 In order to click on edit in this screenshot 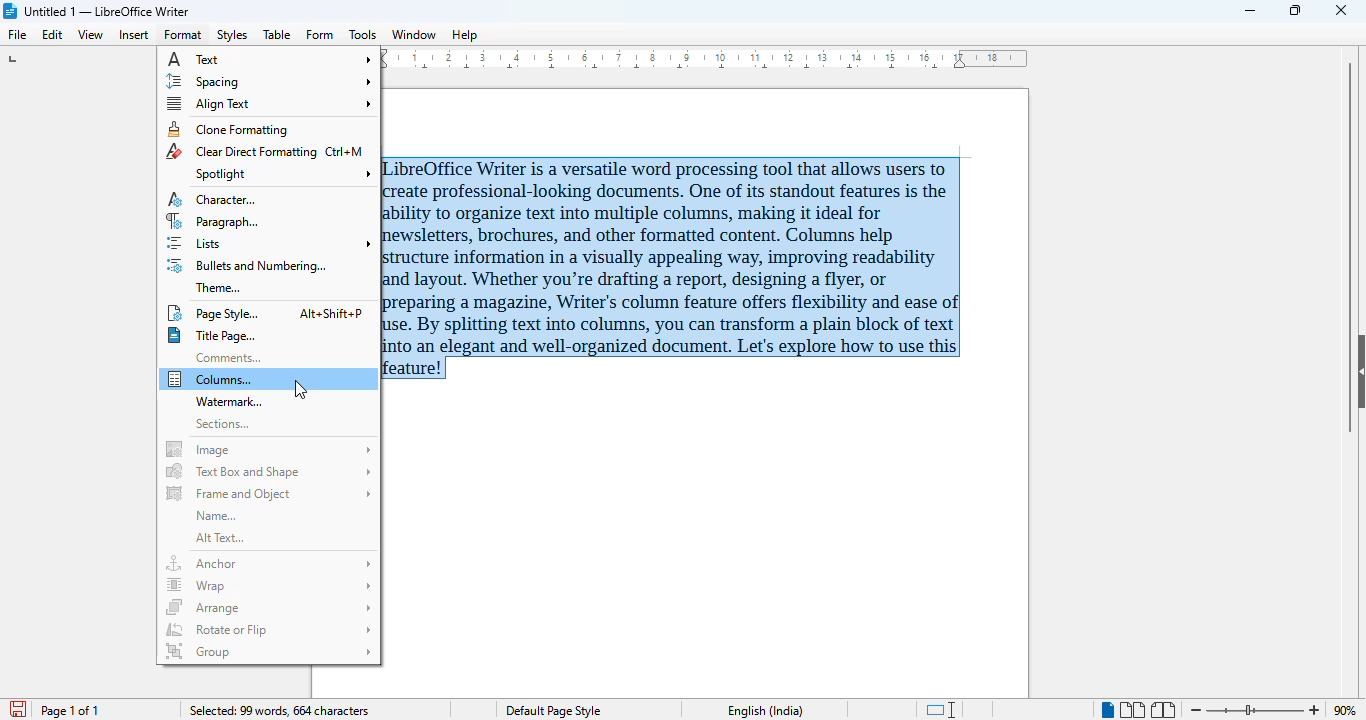, I will do `click(54, 35)`.